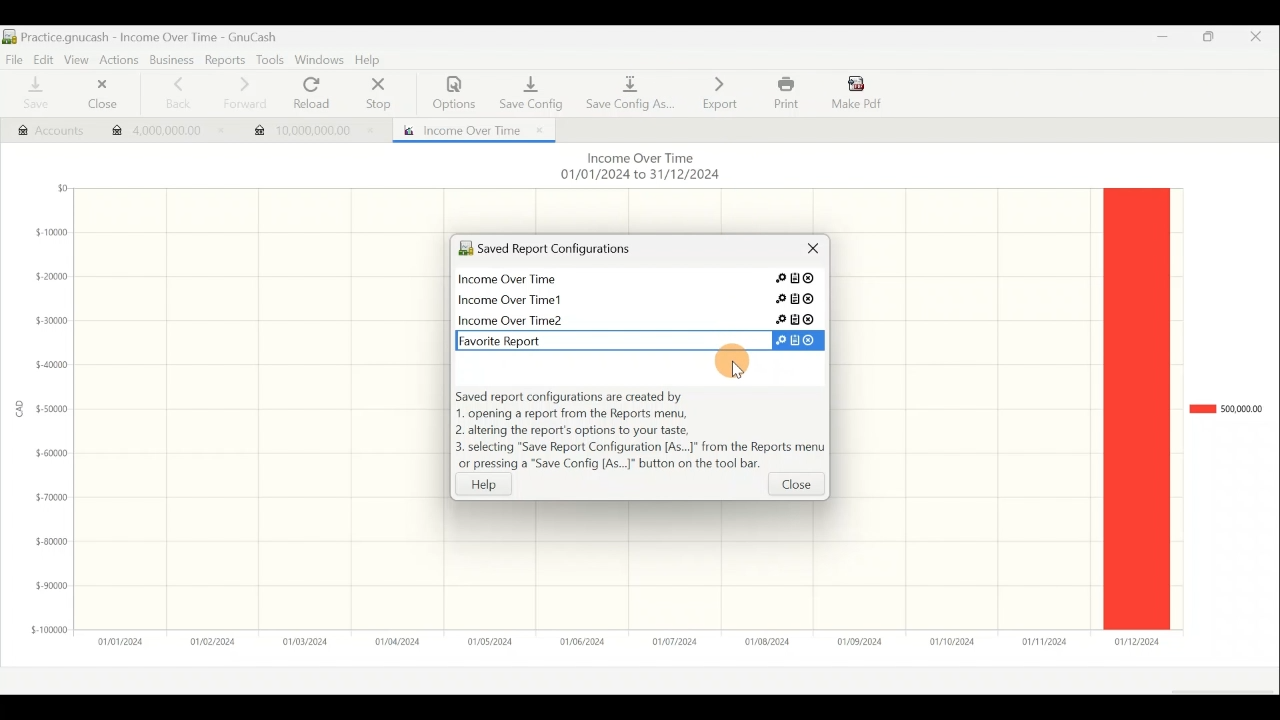 This screenshot has width=1280, height=720. What do you see at coordinates (806, 253) in the screenshot?
I see `Close` at bounding box center [806, 253].